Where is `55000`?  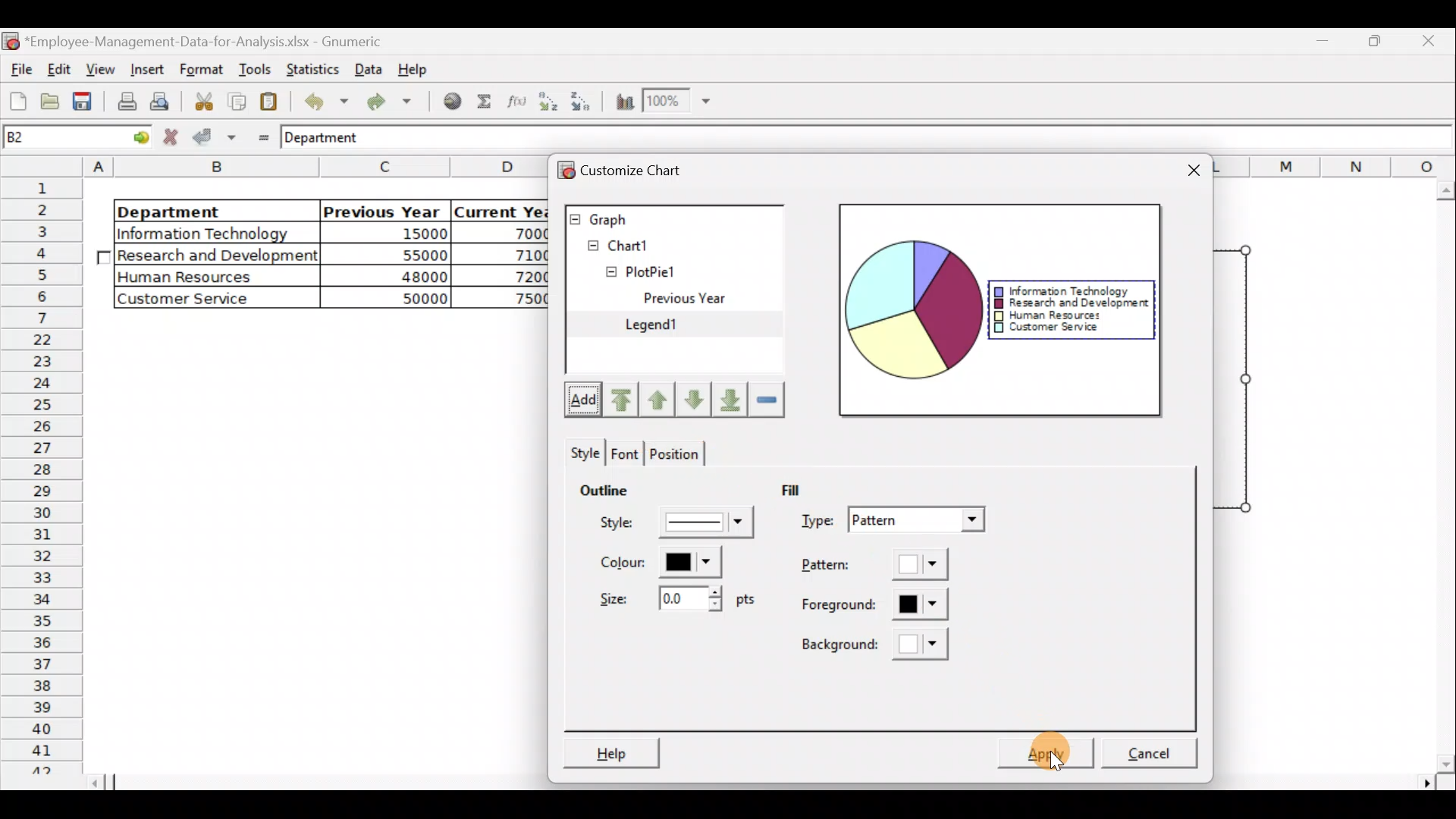
55000 is located at coordinates (416, 255).